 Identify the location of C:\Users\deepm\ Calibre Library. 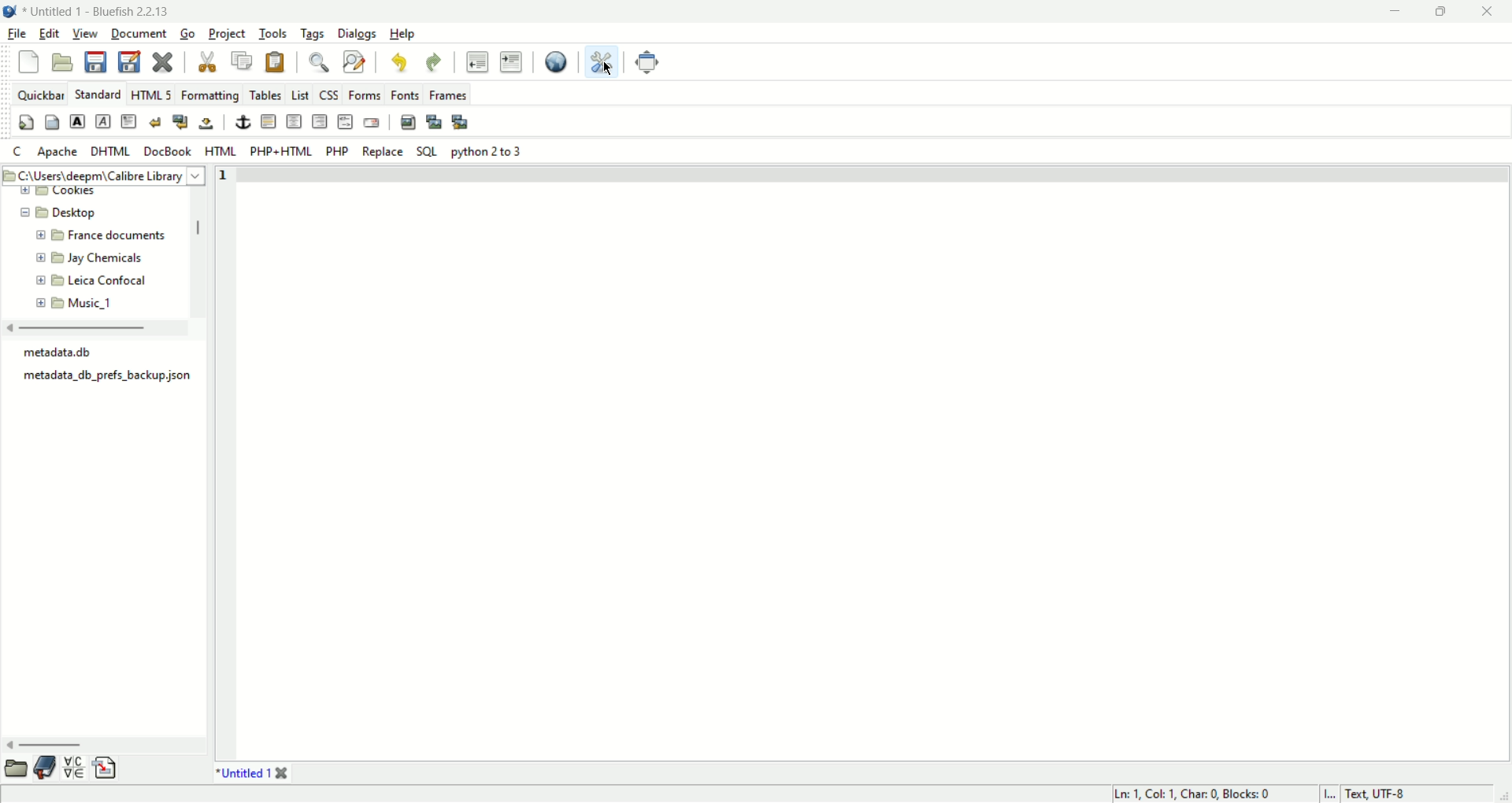
(100, 176).